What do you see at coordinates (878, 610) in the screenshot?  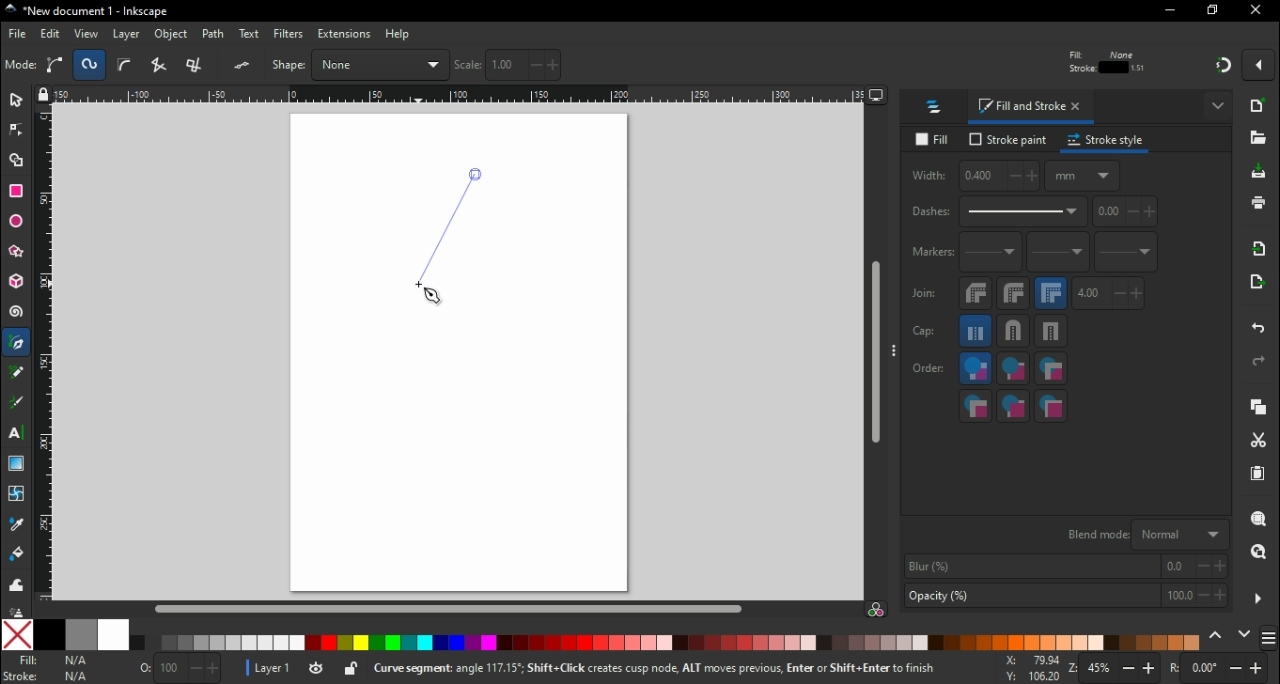 I see `color manager mode` at bounding box center [878, 610].